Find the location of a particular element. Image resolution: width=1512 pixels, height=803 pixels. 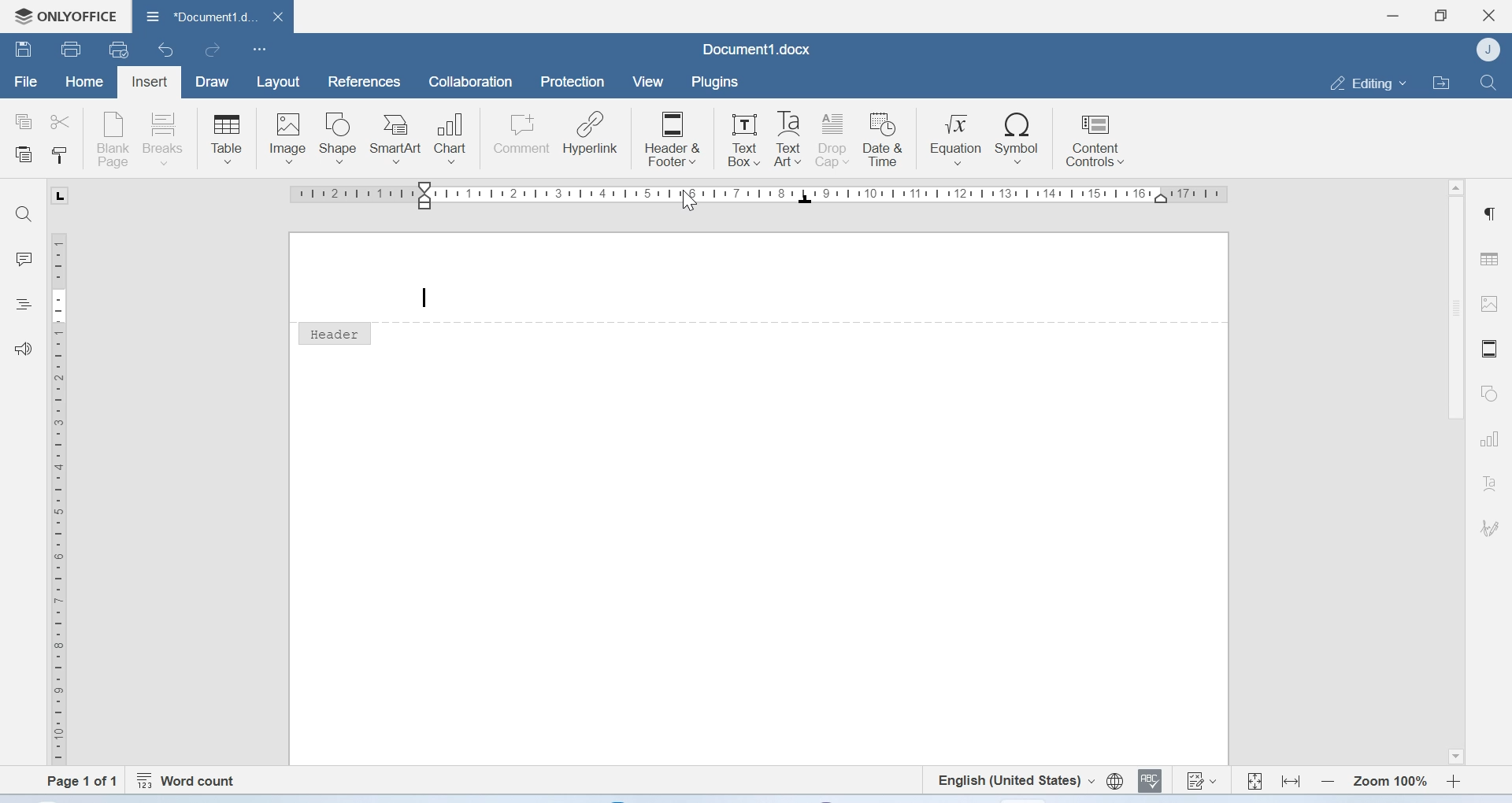

Equation is located at coordinates (957, 139).